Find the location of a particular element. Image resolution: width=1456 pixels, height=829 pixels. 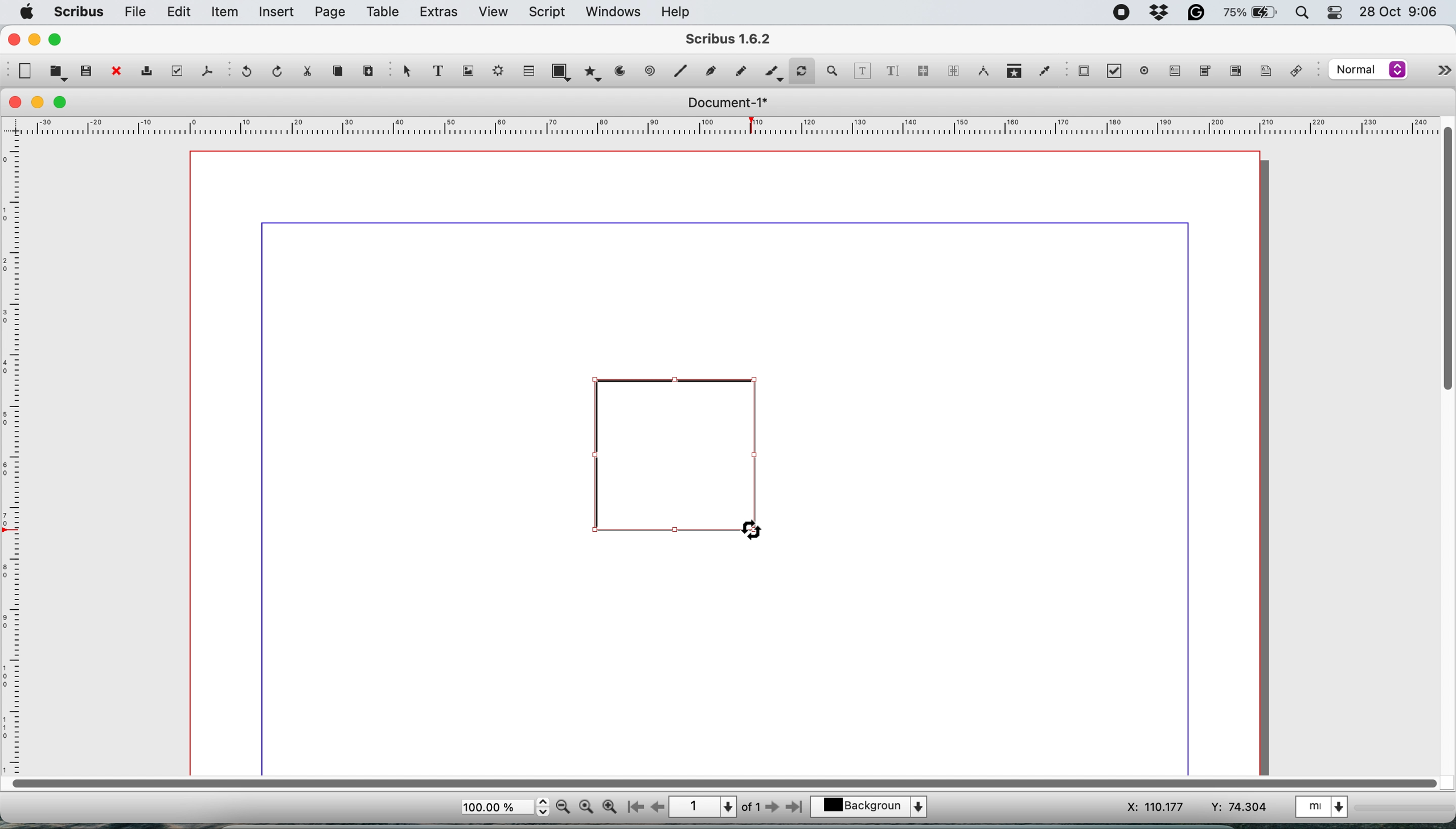

item is located at coordinates (226, 14).